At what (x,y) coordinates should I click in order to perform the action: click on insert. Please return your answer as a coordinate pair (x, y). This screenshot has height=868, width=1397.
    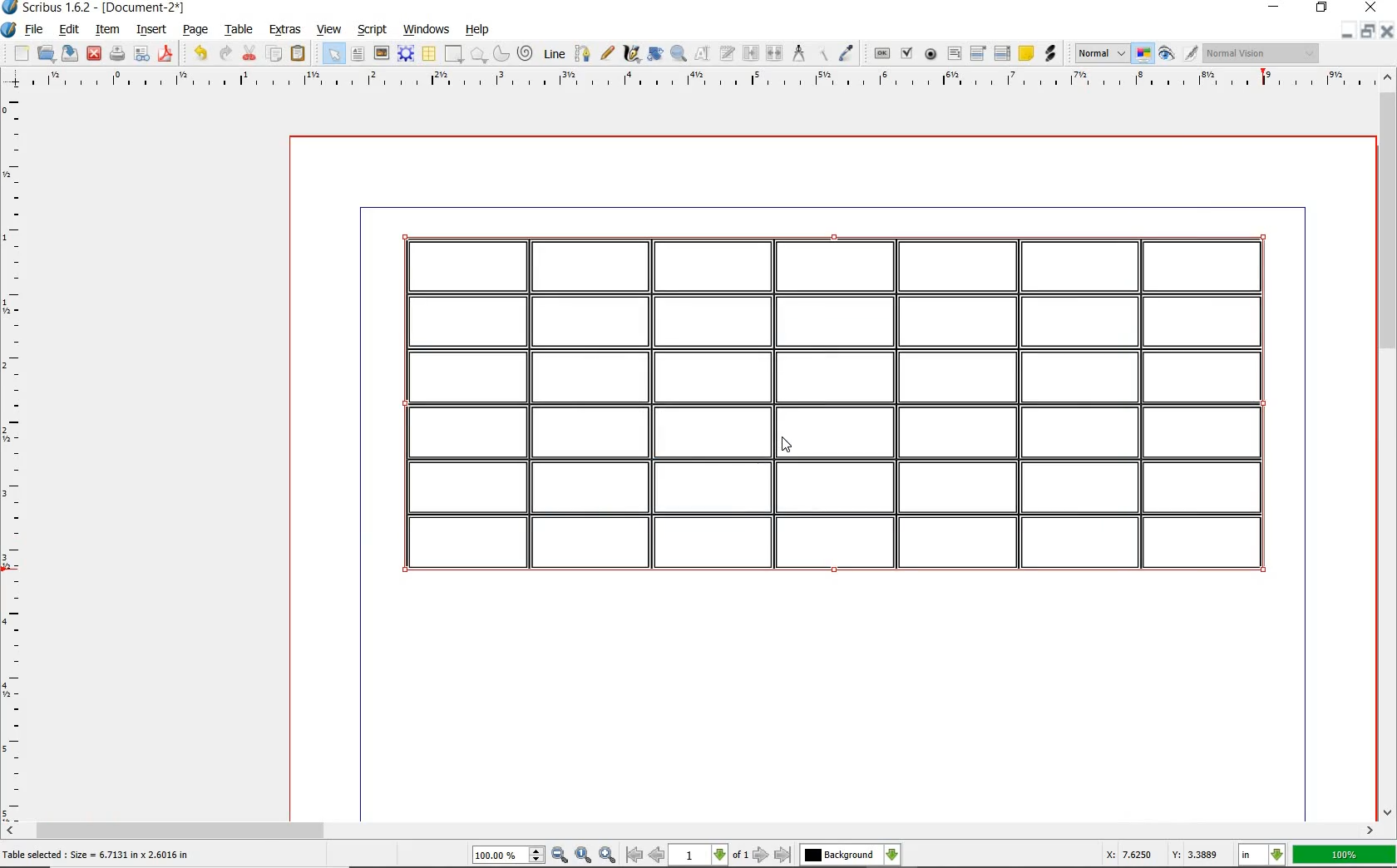
    Looking at the image, I should click on (155, 31).